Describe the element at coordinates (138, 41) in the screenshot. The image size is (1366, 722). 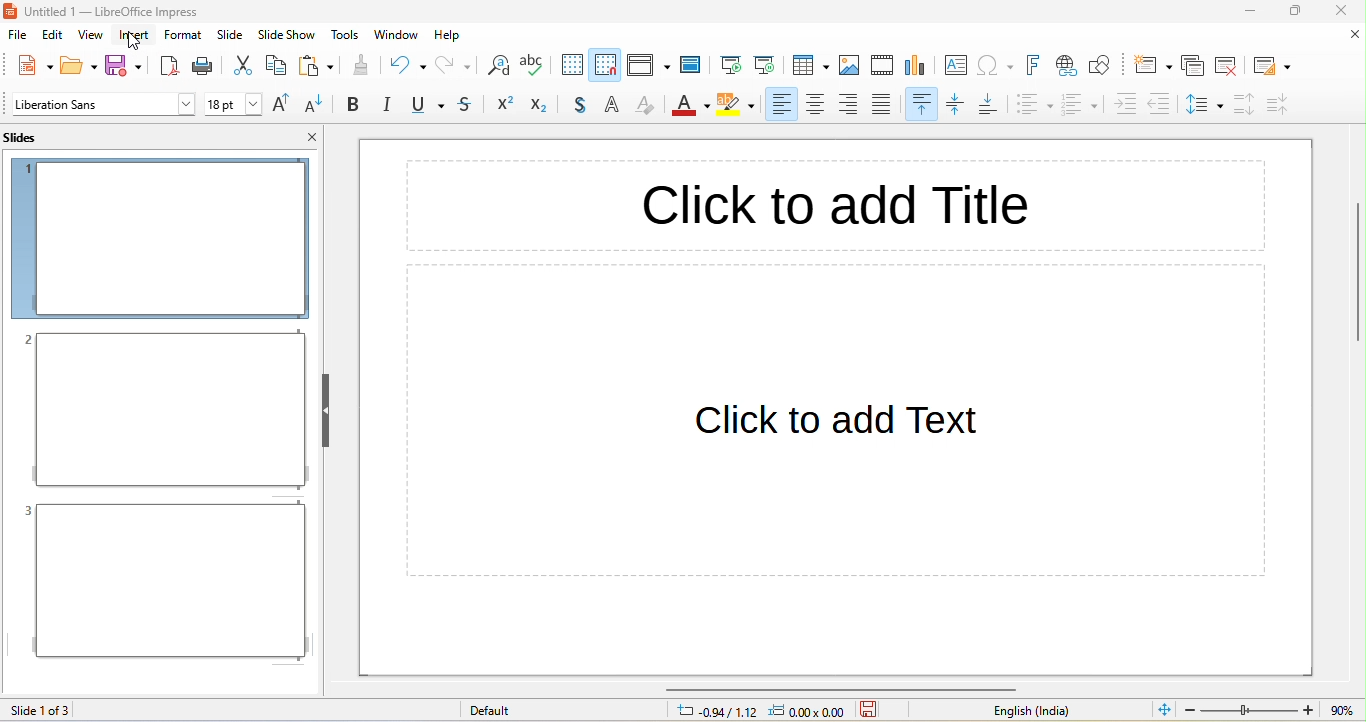
I see `cursor` at that location.